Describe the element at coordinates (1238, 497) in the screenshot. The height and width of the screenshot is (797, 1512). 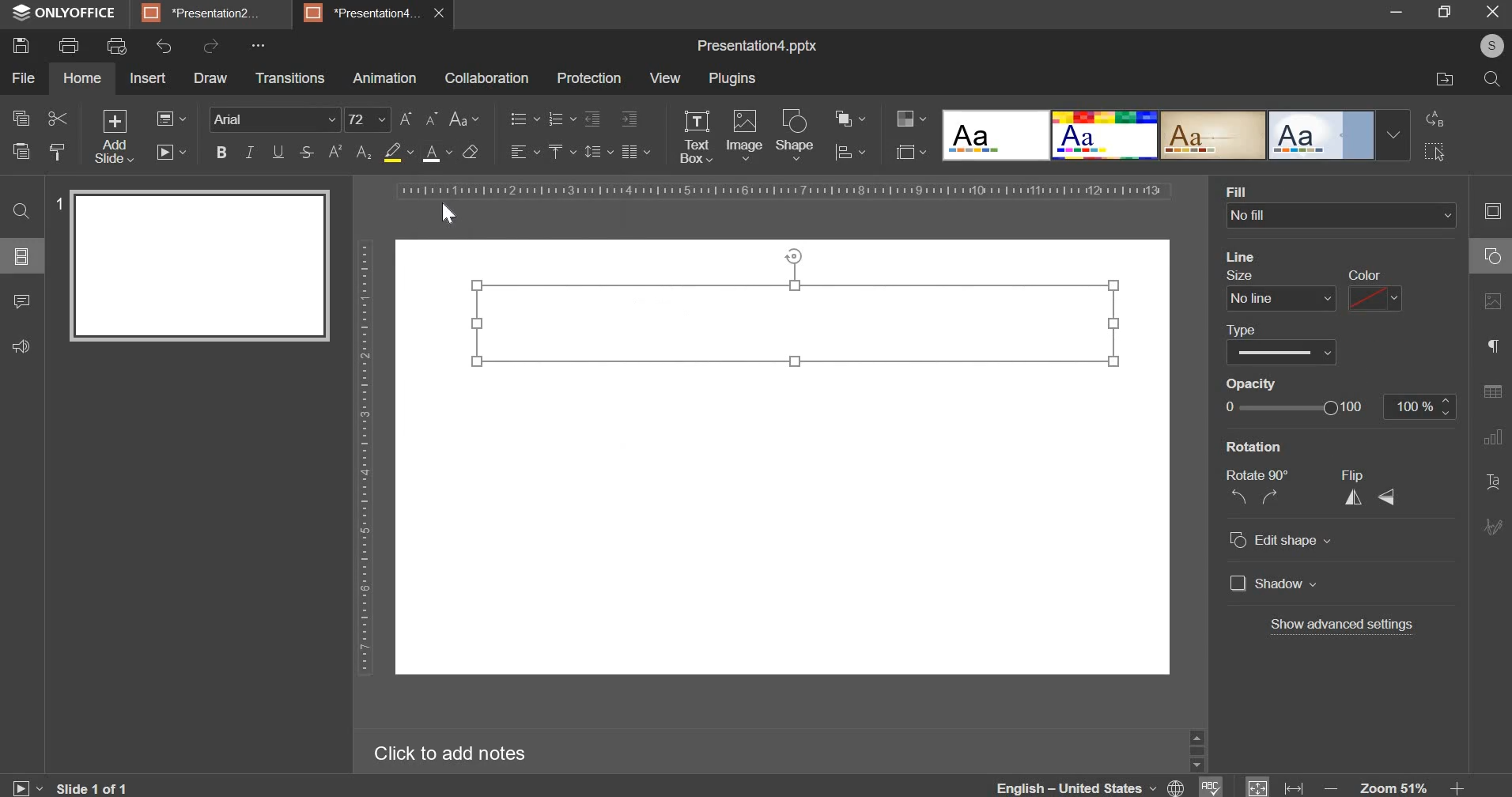
I see `left` at that location.